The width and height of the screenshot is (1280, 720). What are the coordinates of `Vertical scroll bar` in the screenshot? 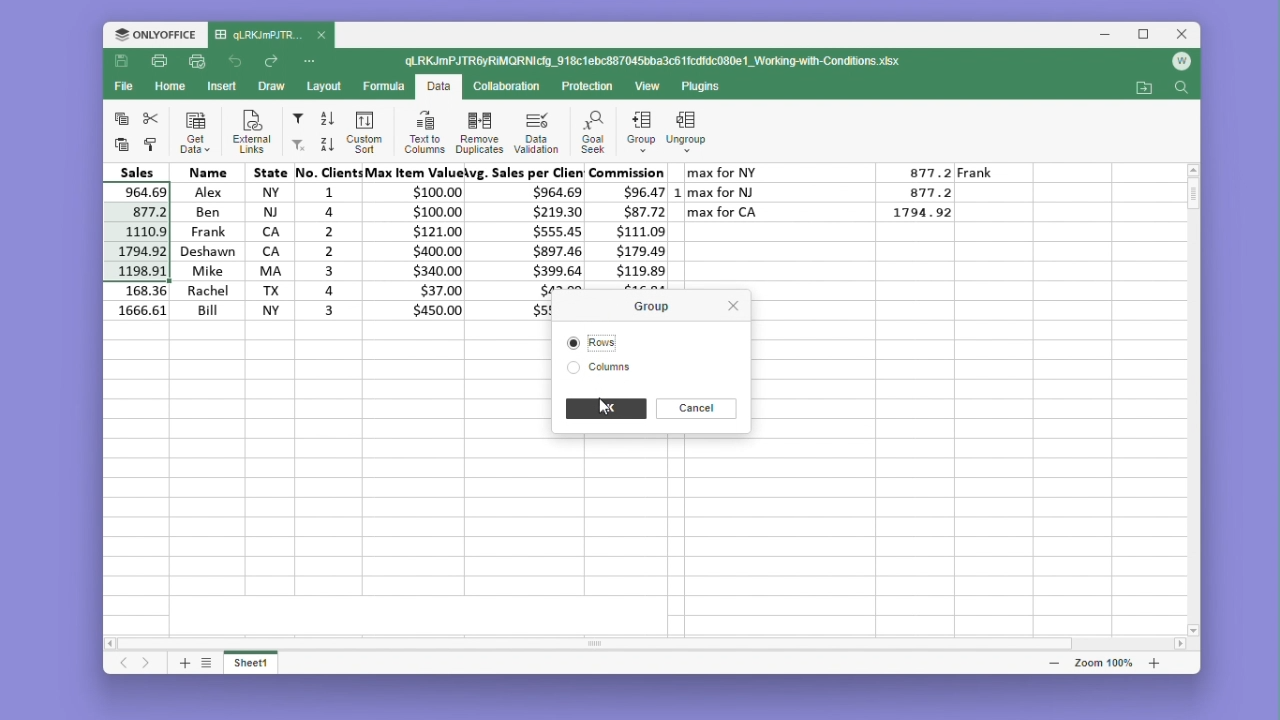 It's located at (1195, 205).